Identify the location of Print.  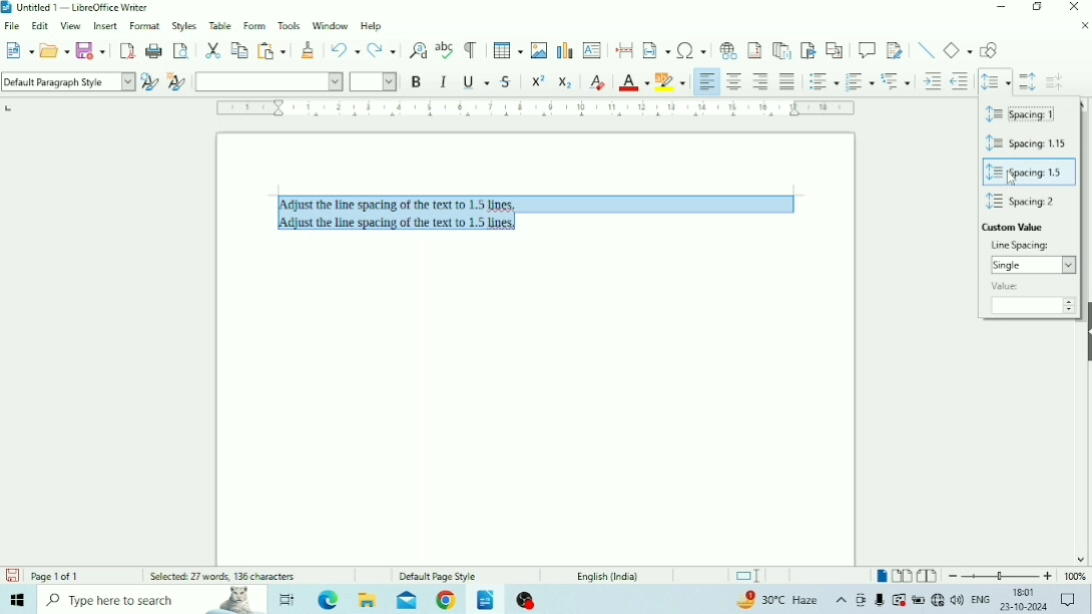
(154, 49).